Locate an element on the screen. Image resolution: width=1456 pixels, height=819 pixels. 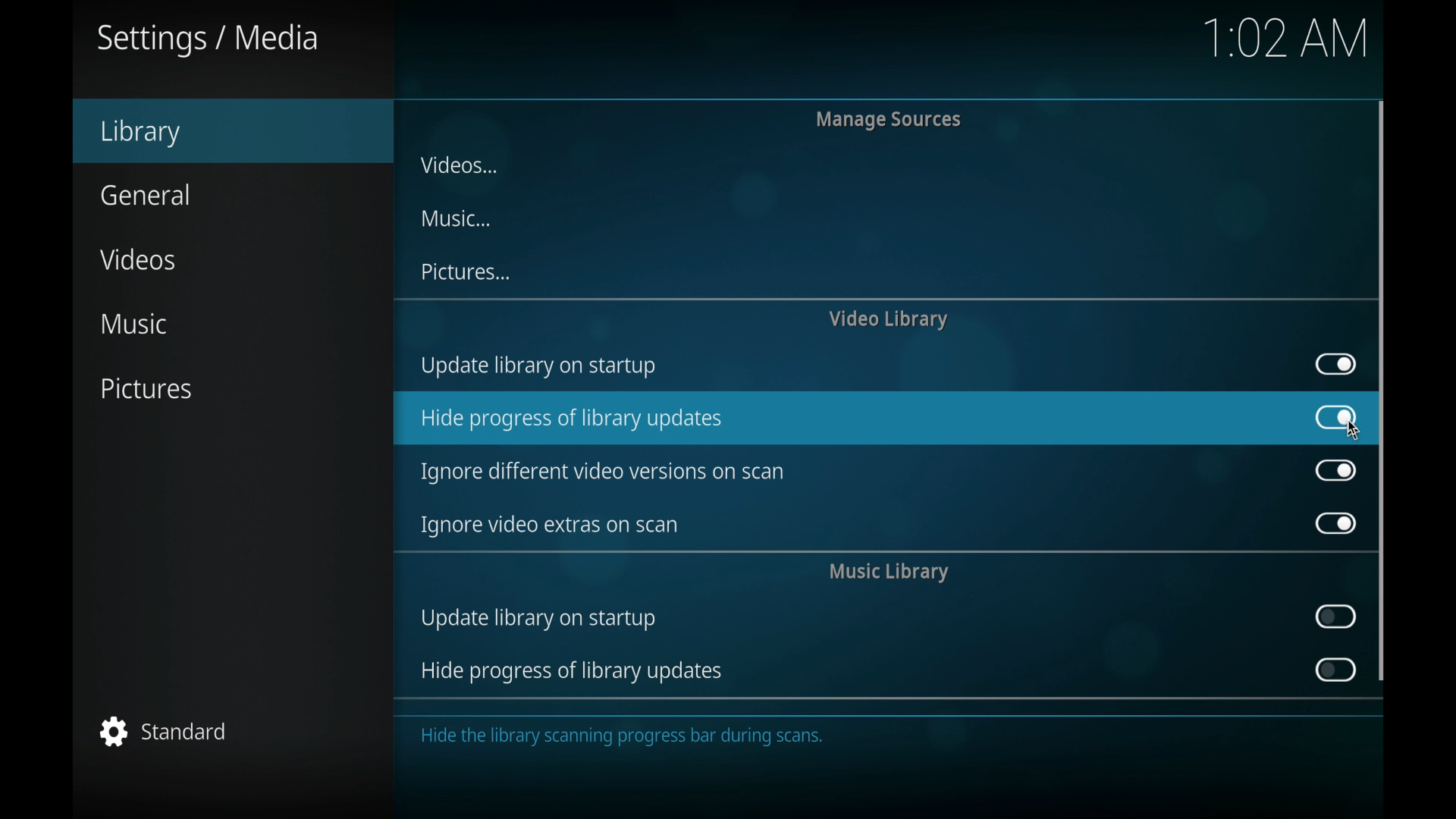
toggle button is located at coordinates (1335, 523).